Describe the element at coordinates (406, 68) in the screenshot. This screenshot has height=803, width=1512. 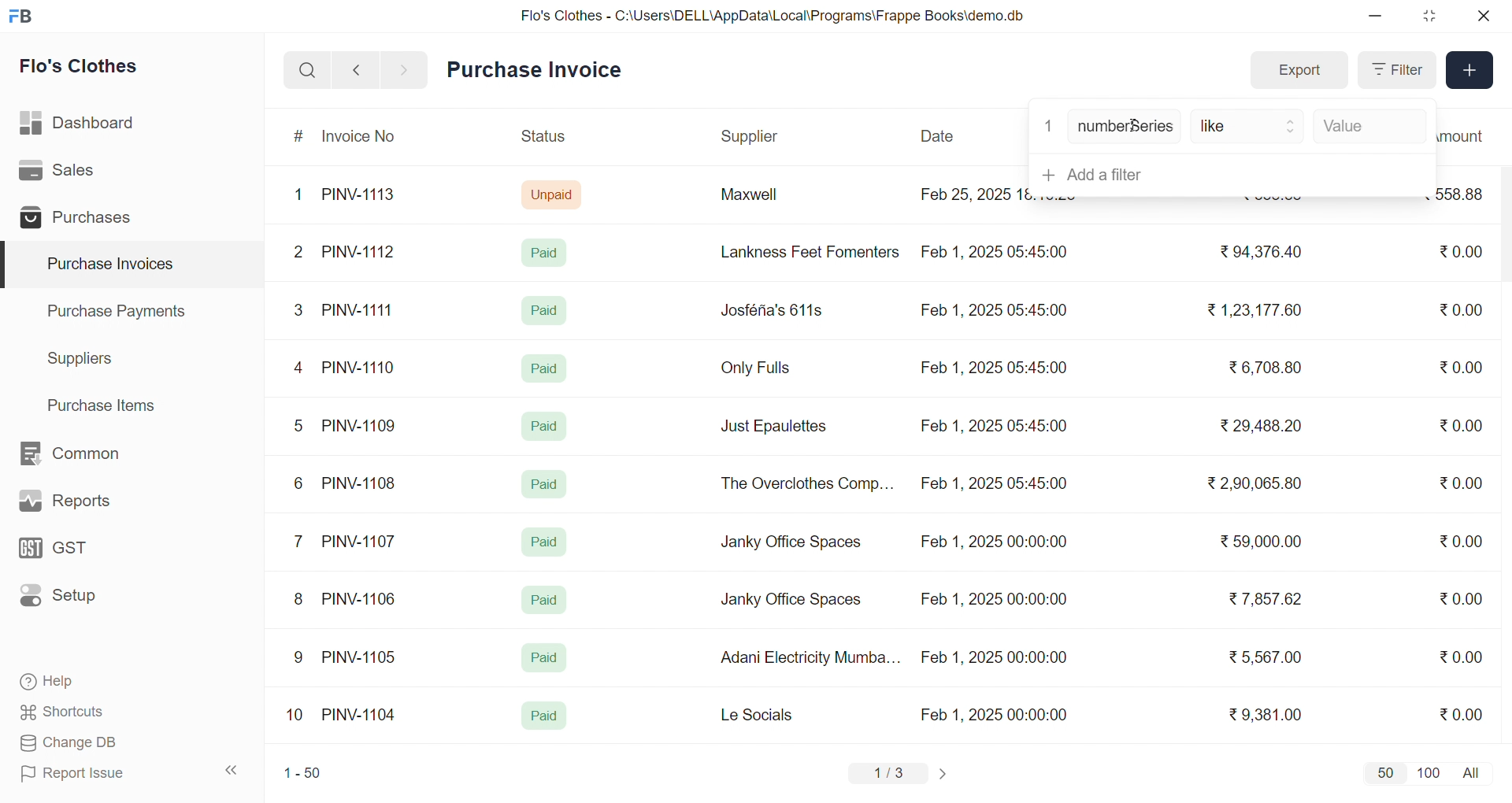
I see `navigate forward` at that location.